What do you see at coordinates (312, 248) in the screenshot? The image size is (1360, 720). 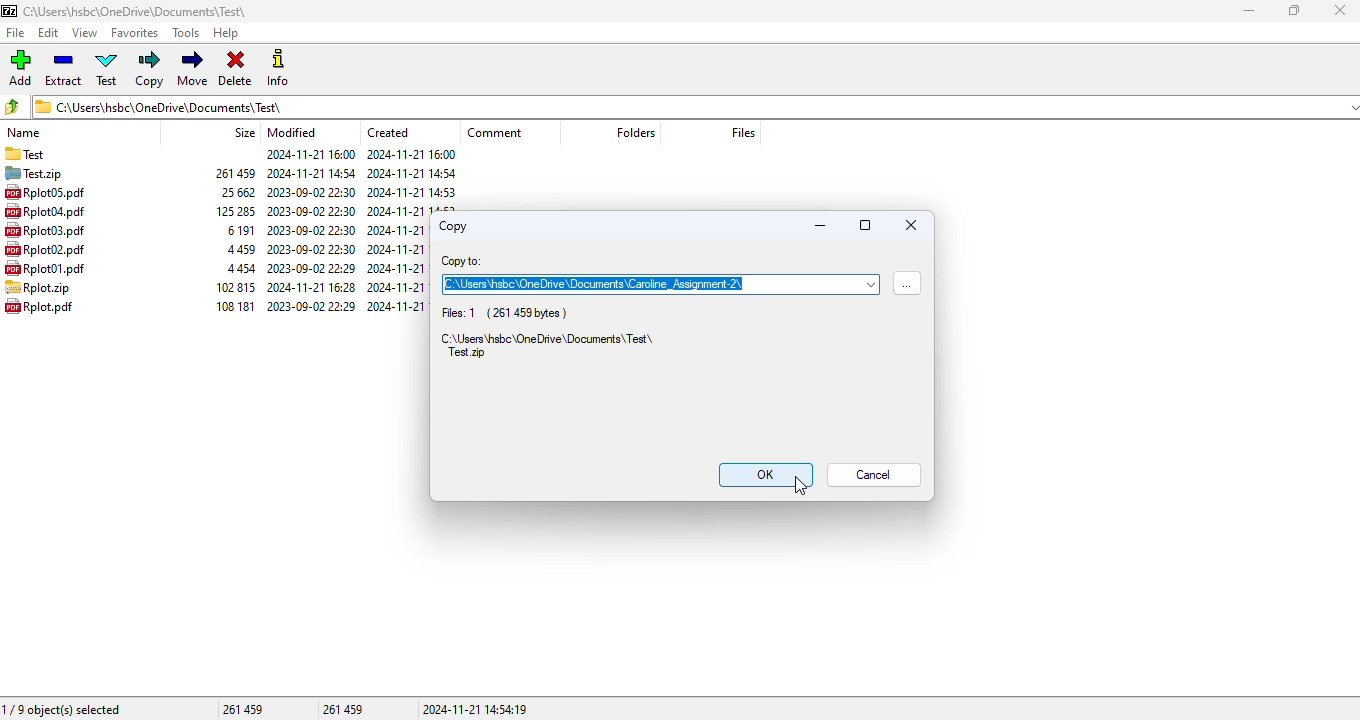 I see `modified date & time` at bounding box center [312, 248].